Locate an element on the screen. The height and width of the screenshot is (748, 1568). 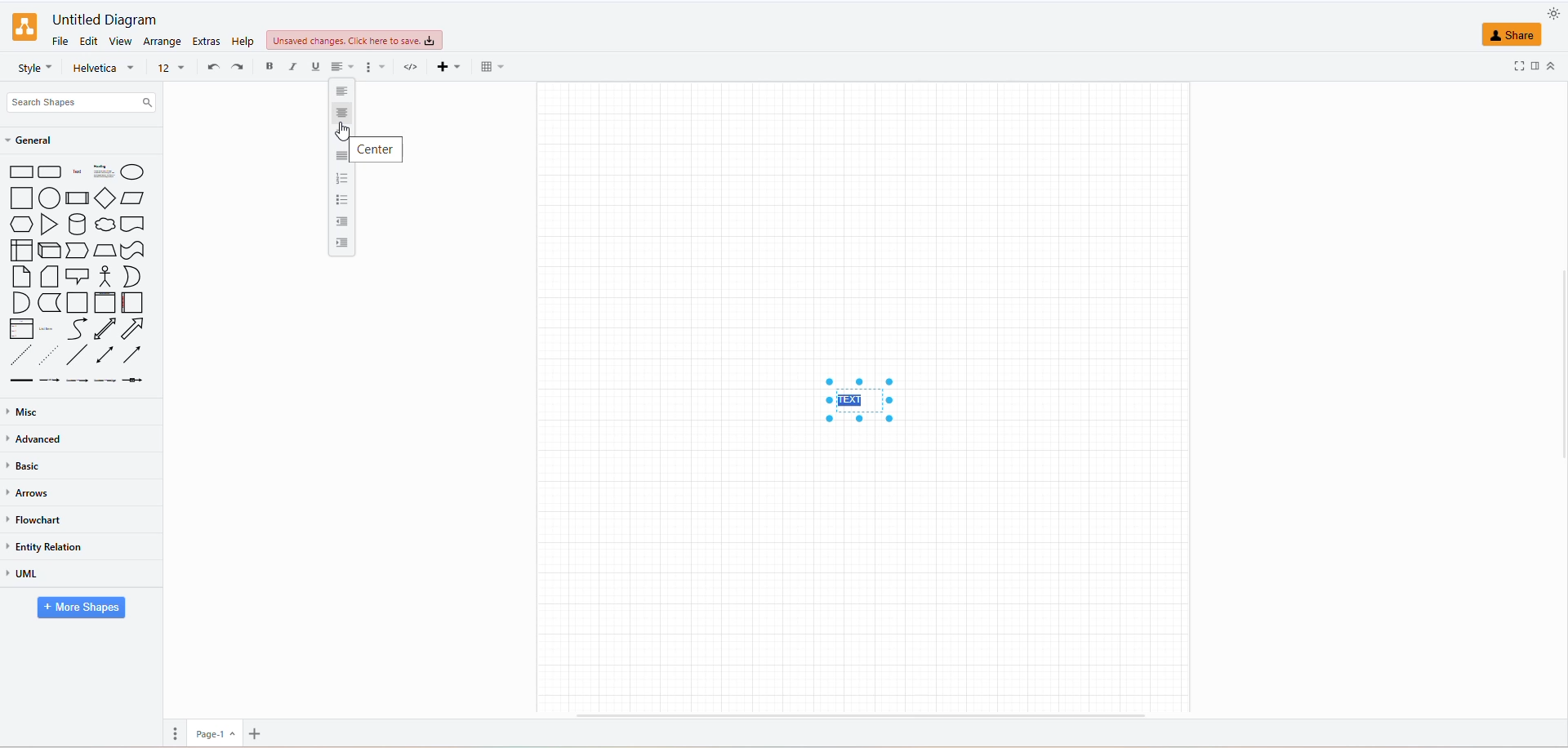
shapes is located at coordinates (82, 274).